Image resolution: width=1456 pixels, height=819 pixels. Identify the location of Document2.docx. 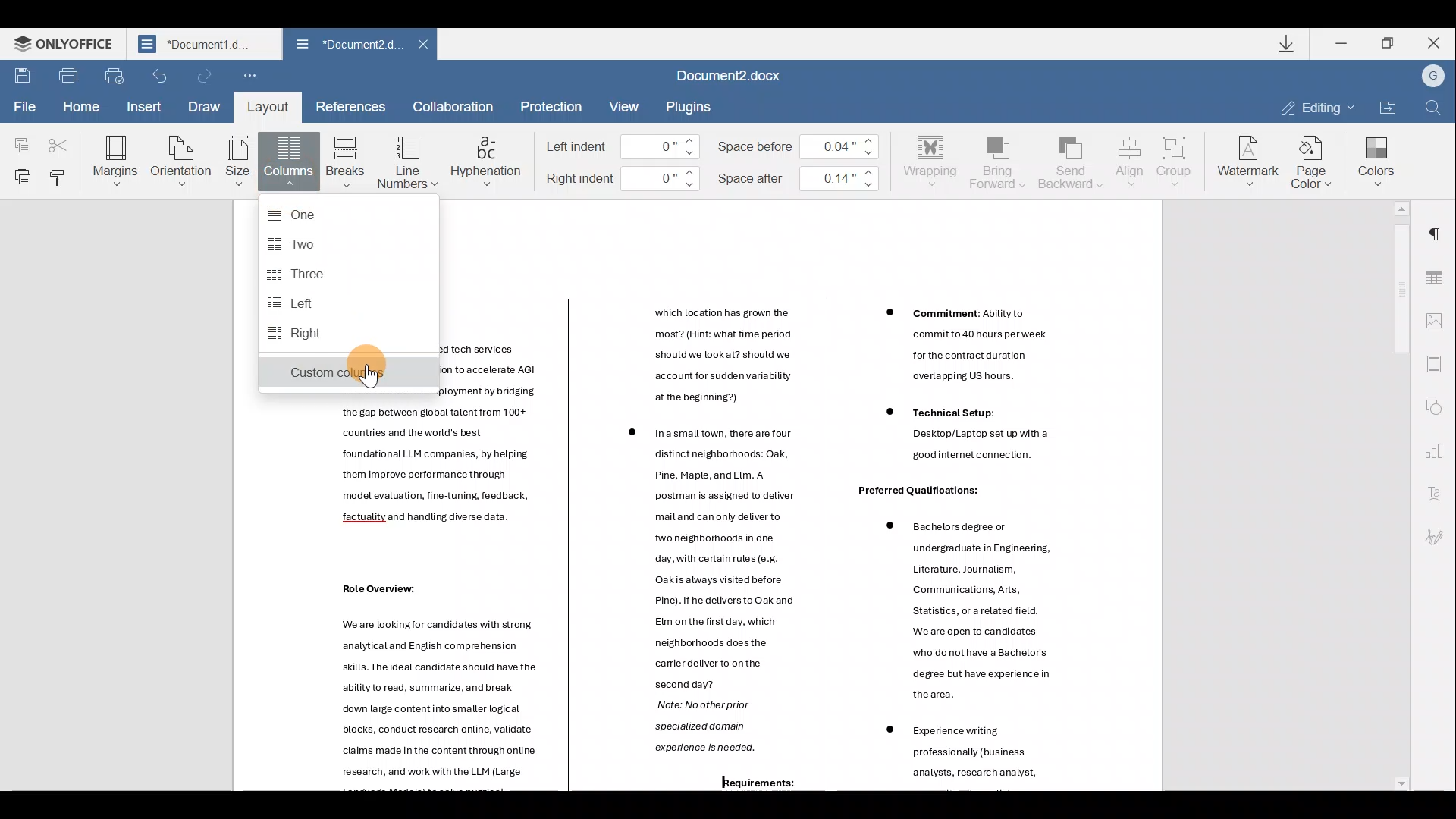
(739, 77).